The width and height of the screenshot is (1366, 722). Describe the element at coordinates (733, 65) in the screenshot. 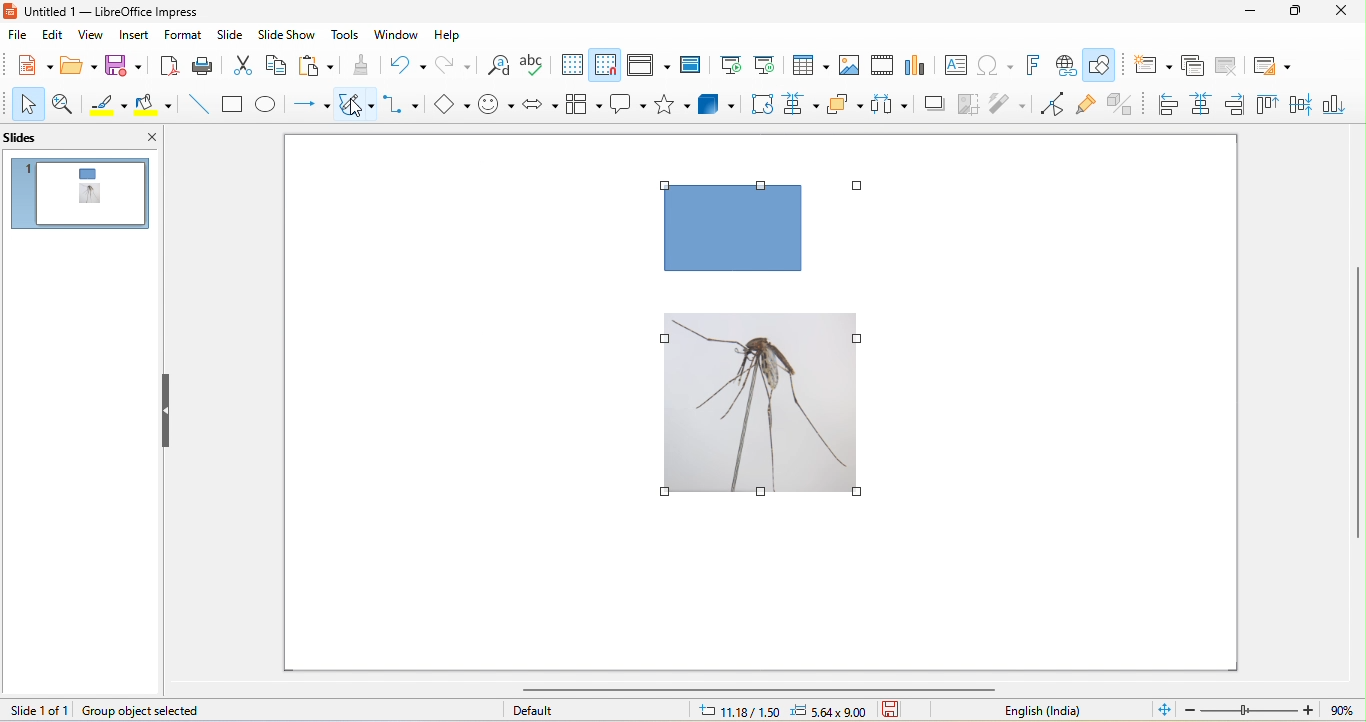

I see `start from first slide` at that location.